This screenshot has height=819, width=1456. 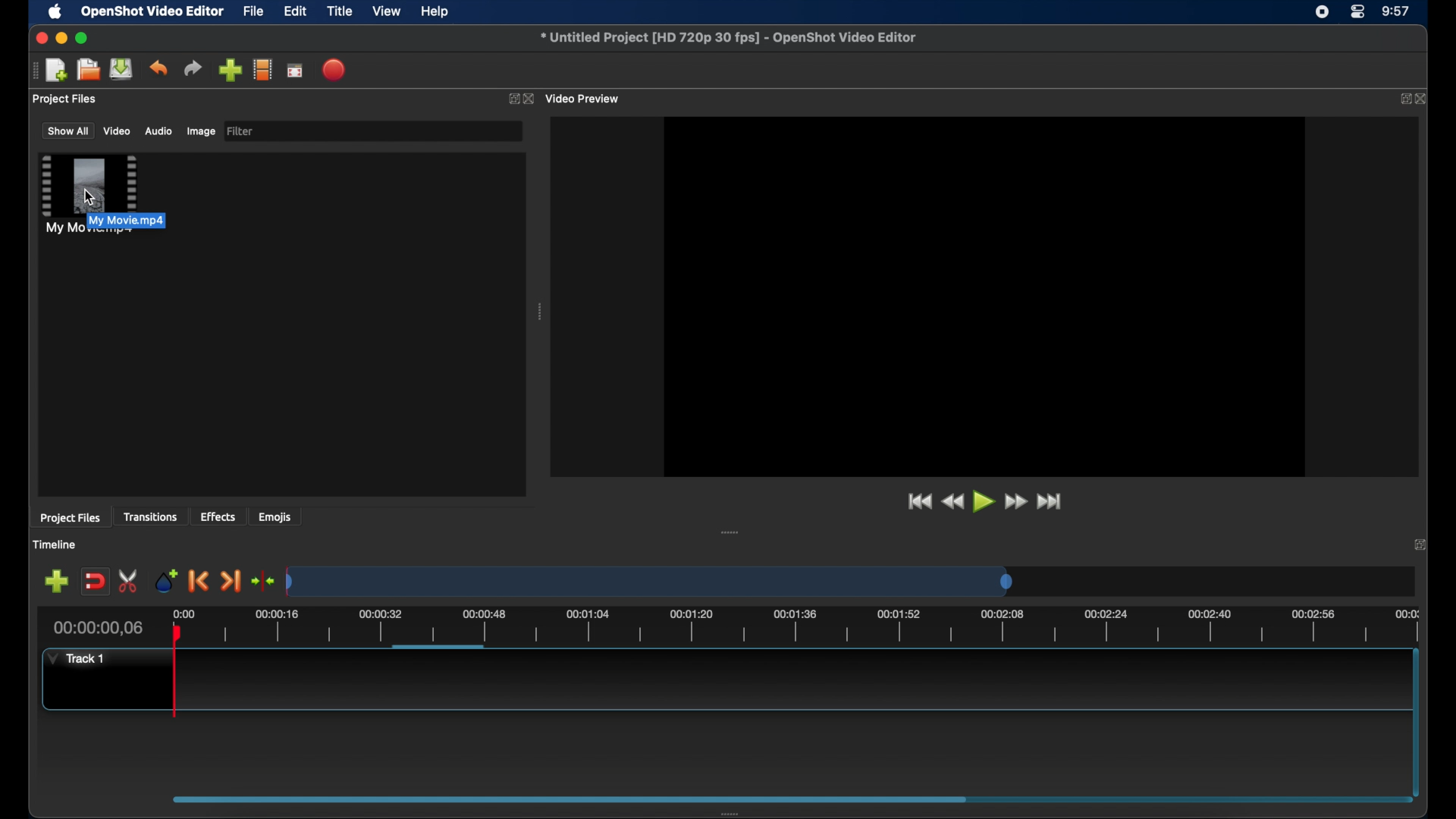 What do you see at coordinates (1423, 99) in the screenshot?
I see `close` at bounding box center [1423, 99].